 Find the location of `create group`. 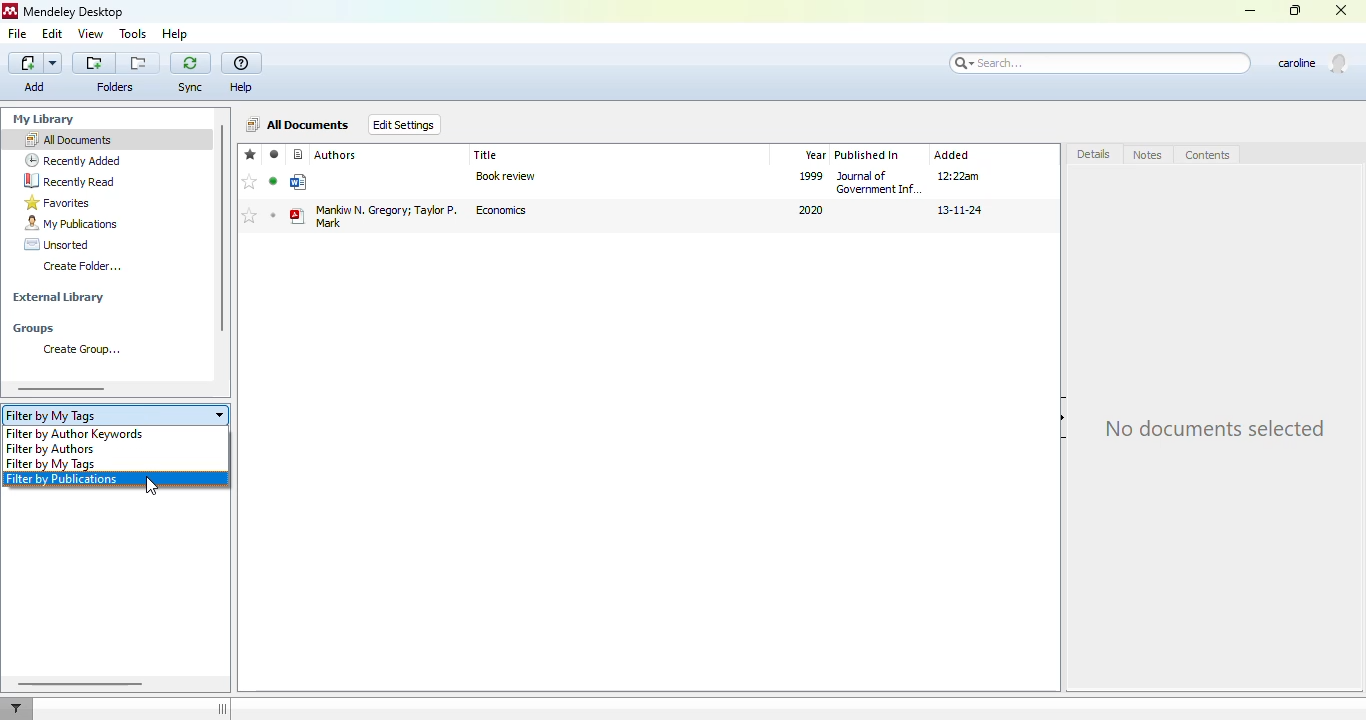

create group is located at coordinates (77, 349).